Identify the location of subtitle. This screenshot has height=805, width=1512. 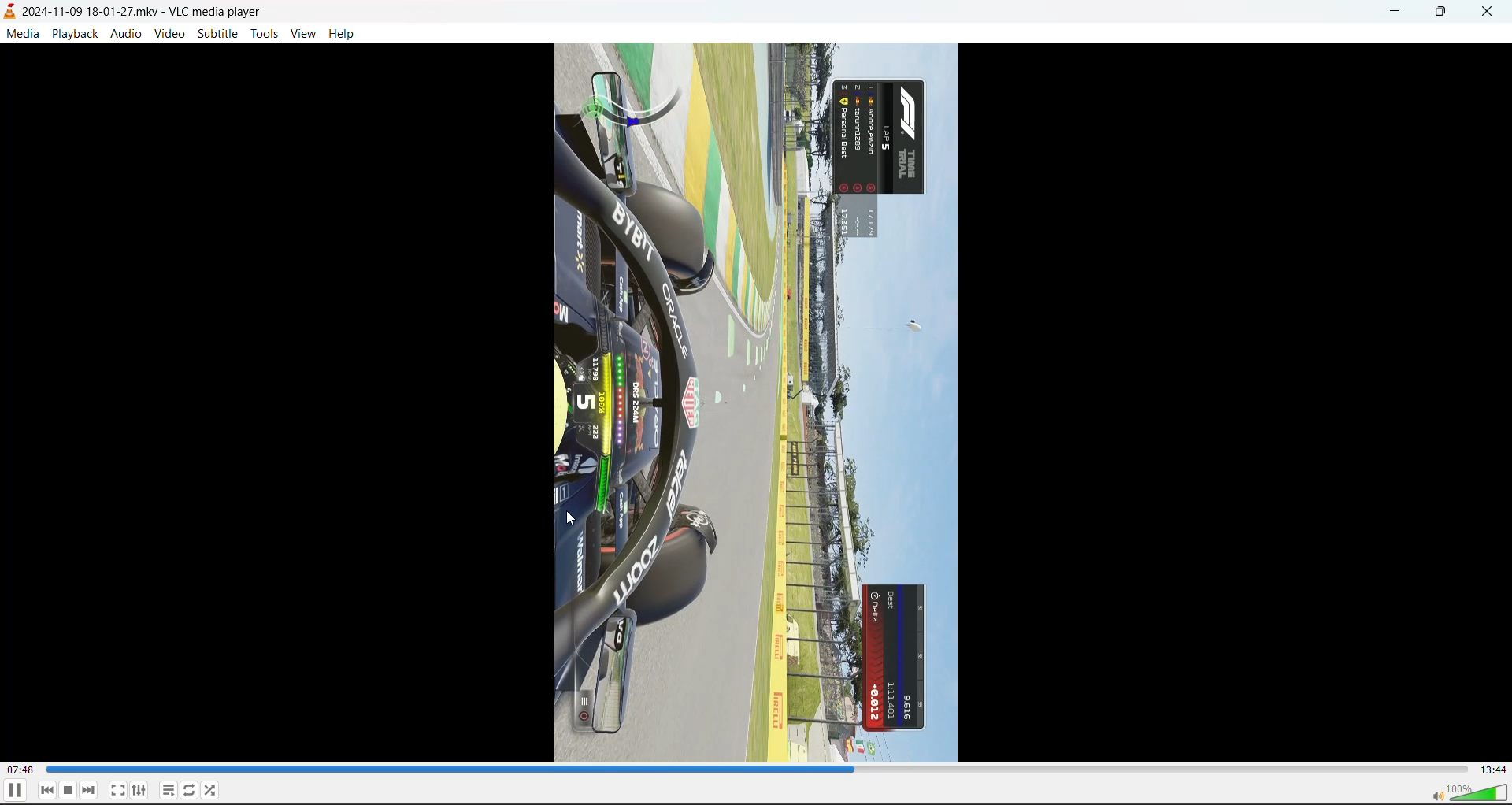
(217, 35).